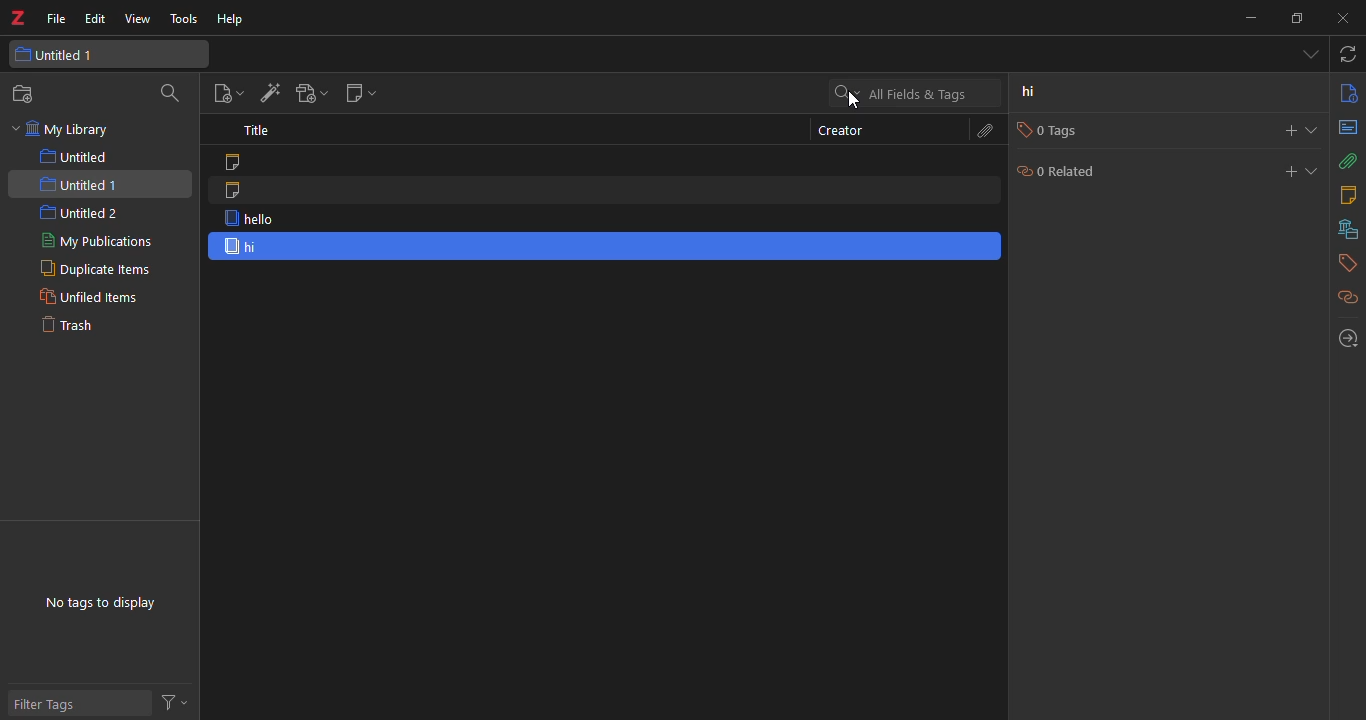 This screenshot has height=720, width=1366. I want to click on Logo, so click(16, 18).